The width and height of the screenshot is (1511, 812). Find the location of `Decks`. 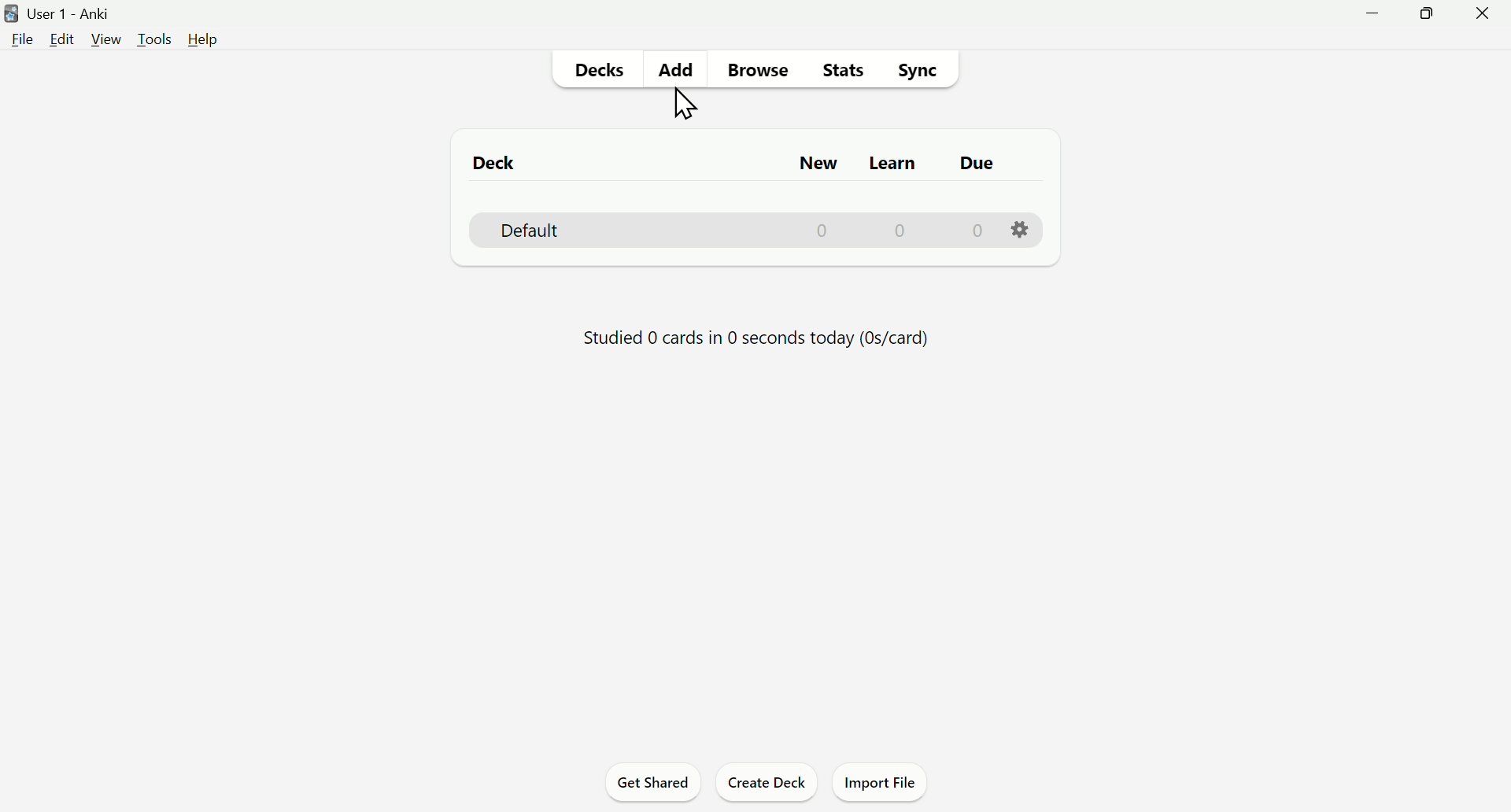

Decks is located at coordinates (603, 67).